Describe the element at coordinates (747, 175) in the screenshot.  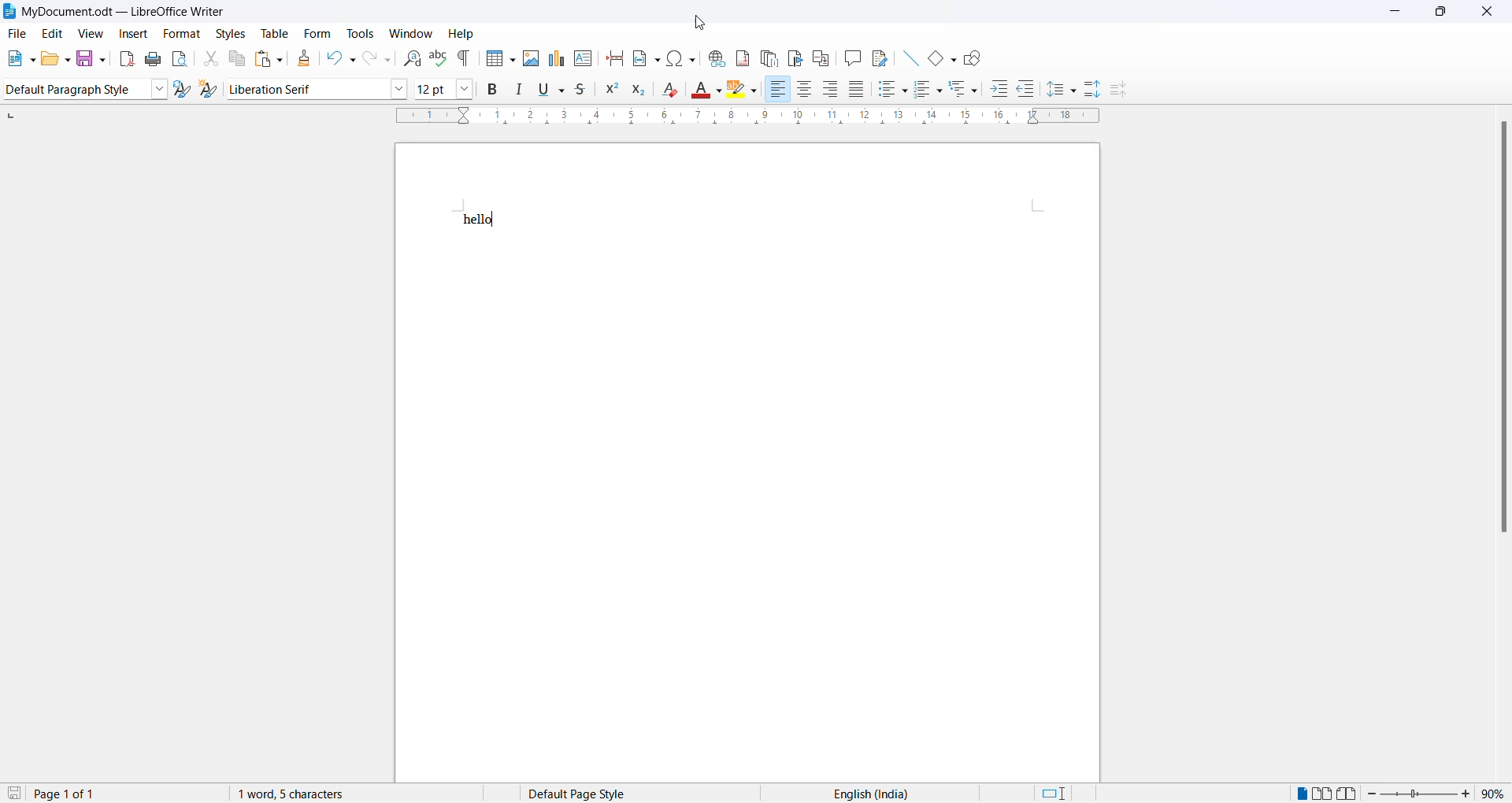
I see `page` at that location.